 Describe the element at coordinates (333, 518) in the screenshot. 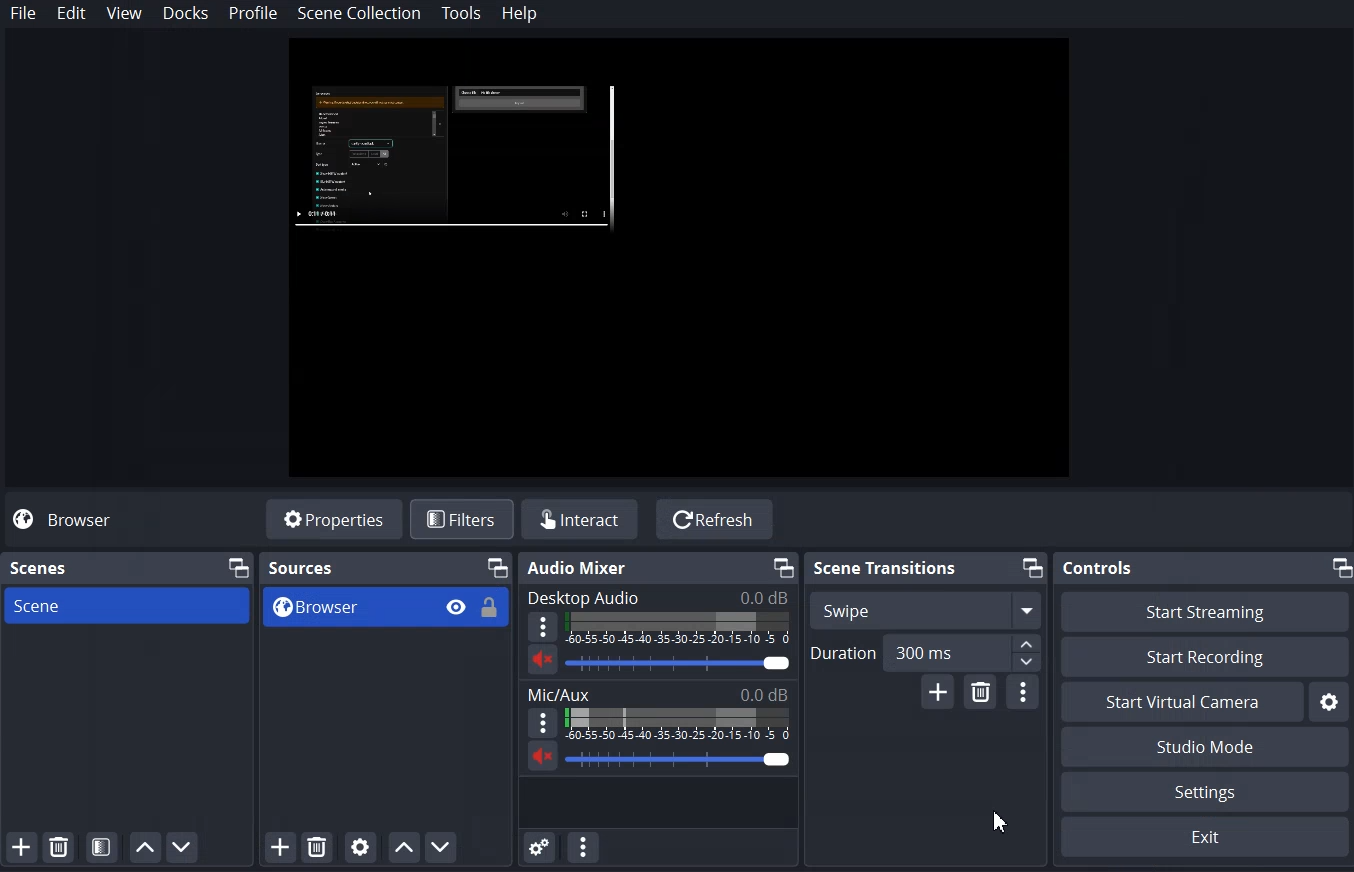

I see `Properties` at that location.